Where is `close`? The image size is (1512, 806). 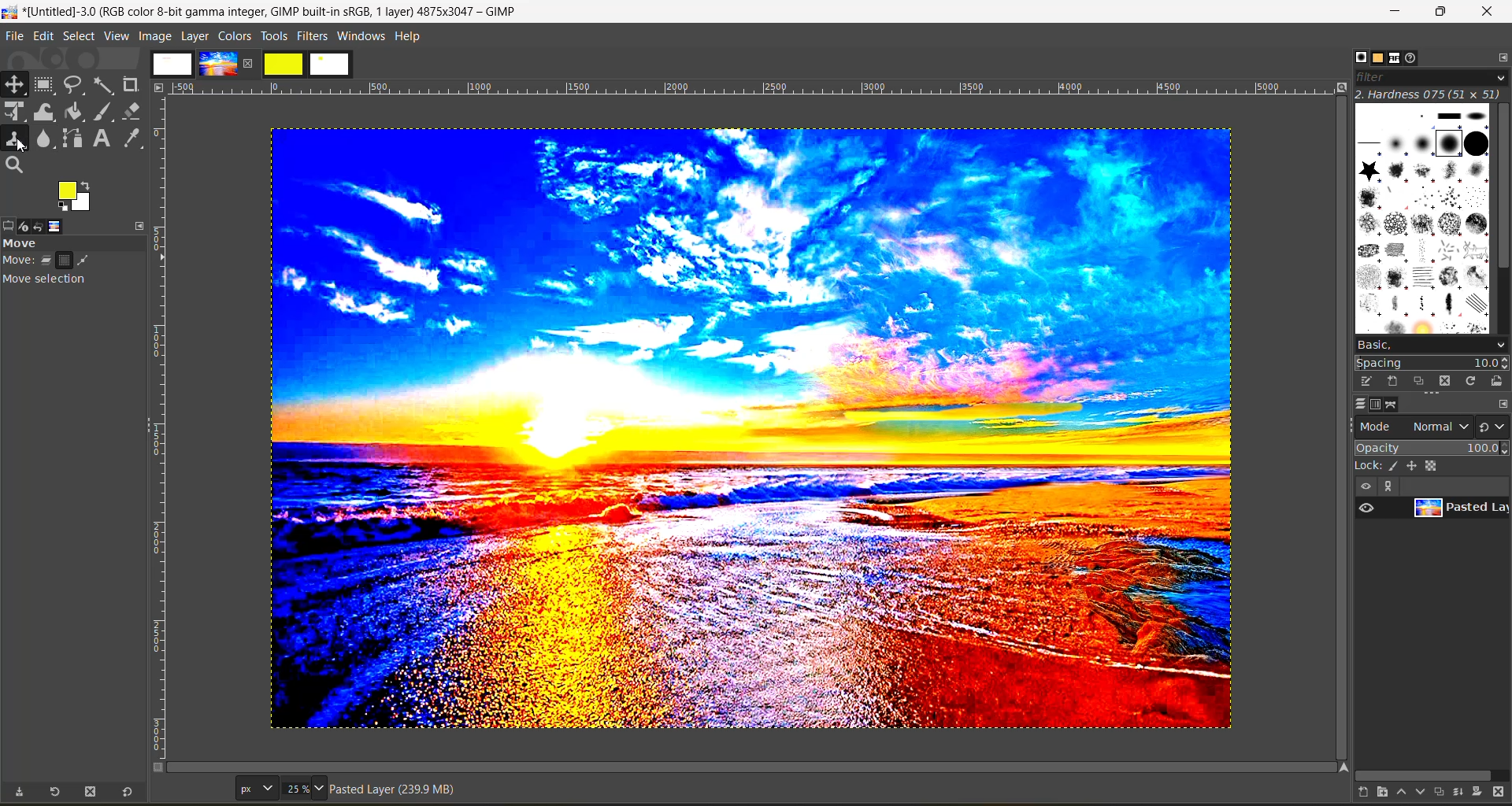
close is located at coordinates (251, 63).